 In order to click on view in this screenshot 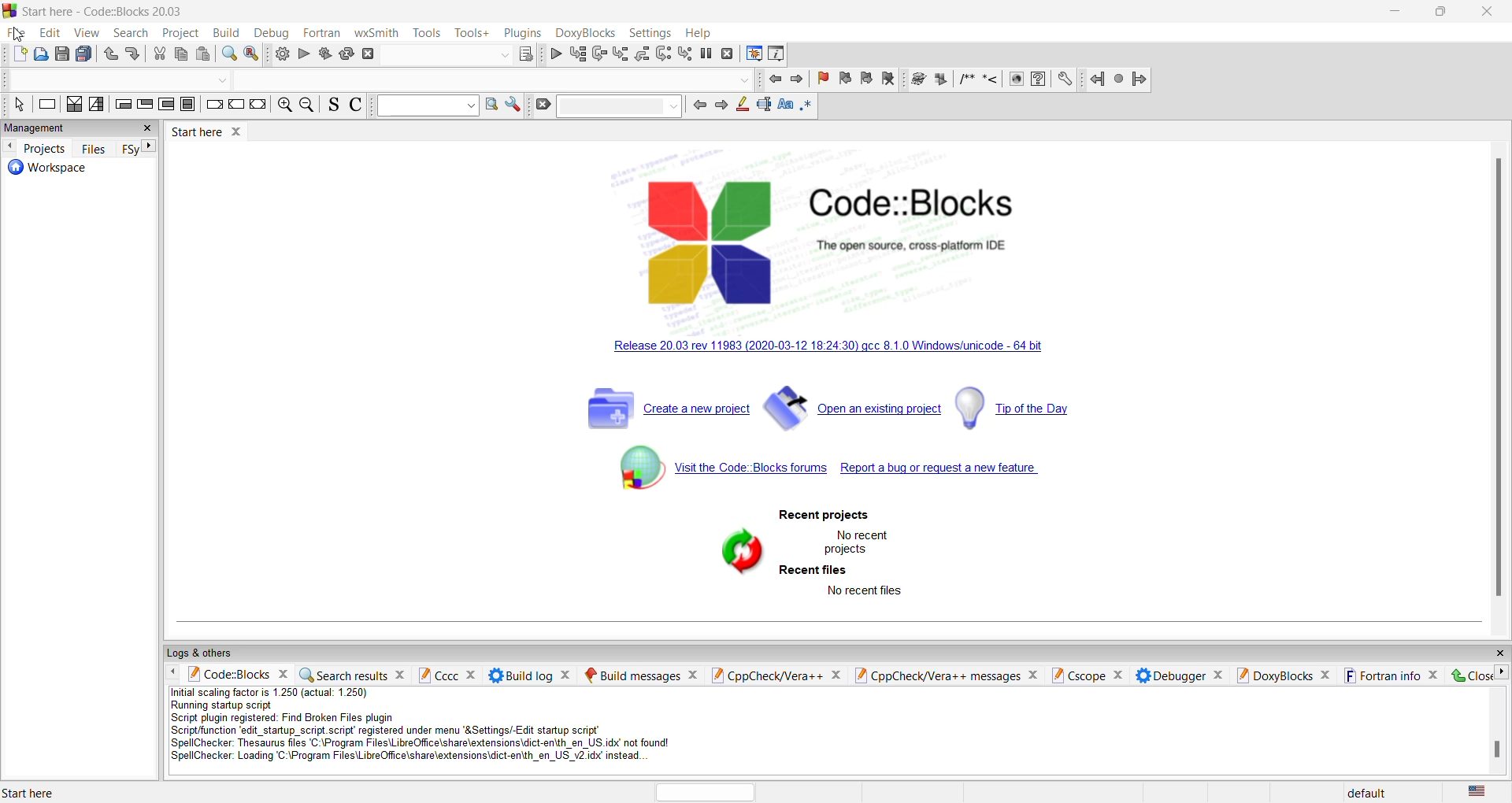, I will do `click(87, 33)`.